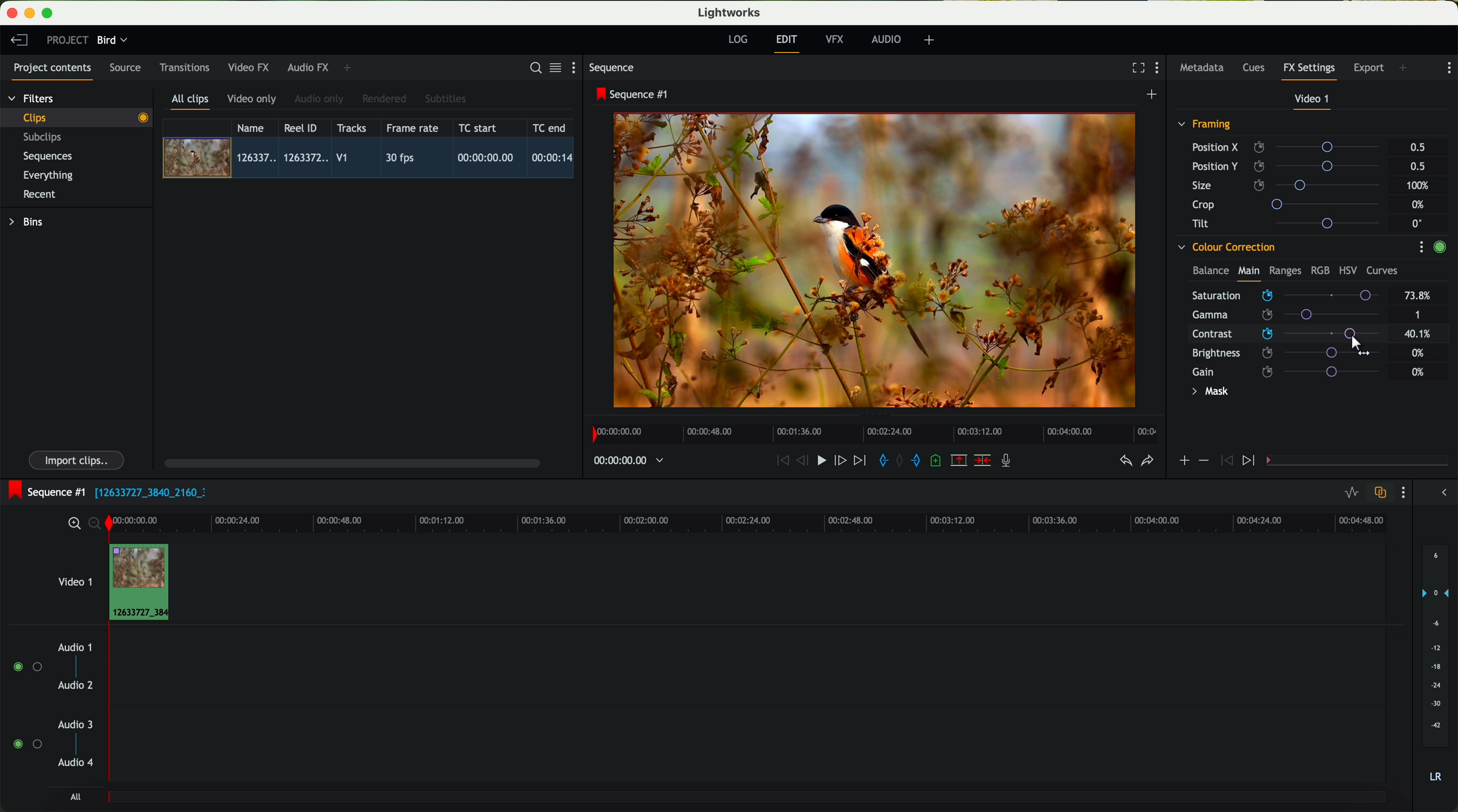  What do you see at coordinates (49, 14) in the screenshot?
I see `maximize program` at bounding box center [49, 14].